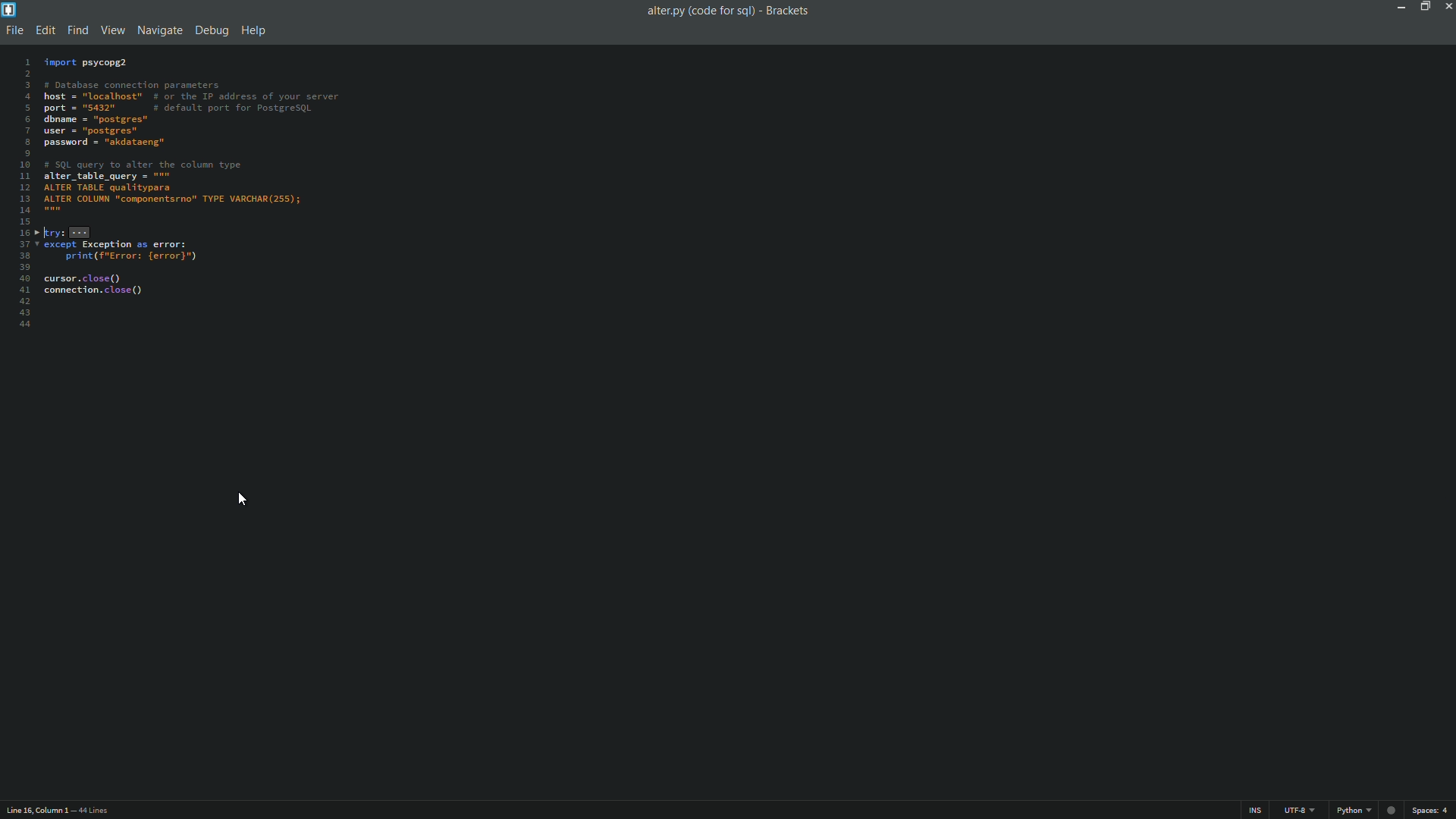 The height and width of the screenshot is (819, 1456). Describe the element at coordinates (1367, 811) in the screenshot. I see `file format` at that location.